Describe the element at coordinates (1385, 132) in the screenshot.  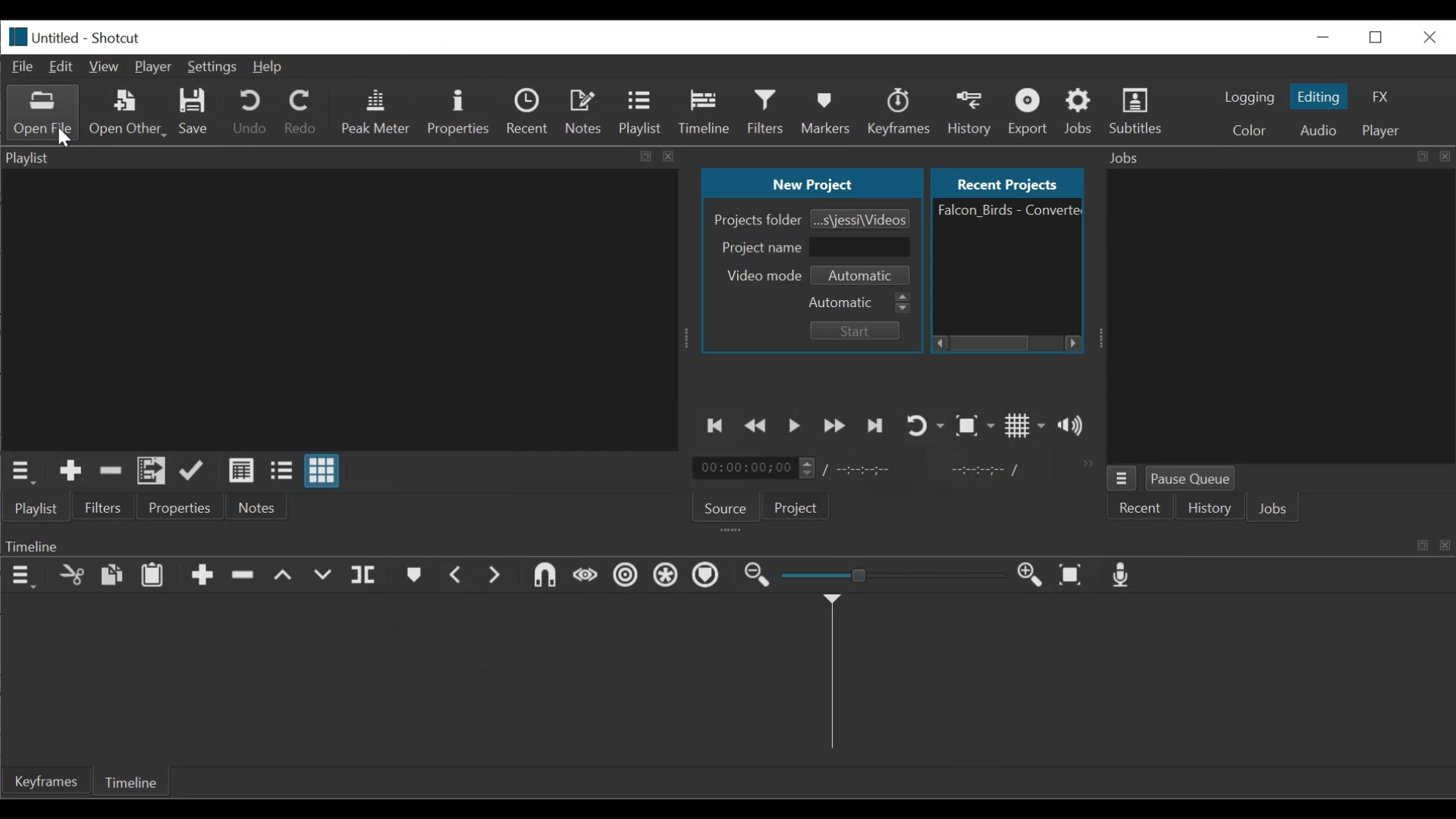
I see `player` at that location.